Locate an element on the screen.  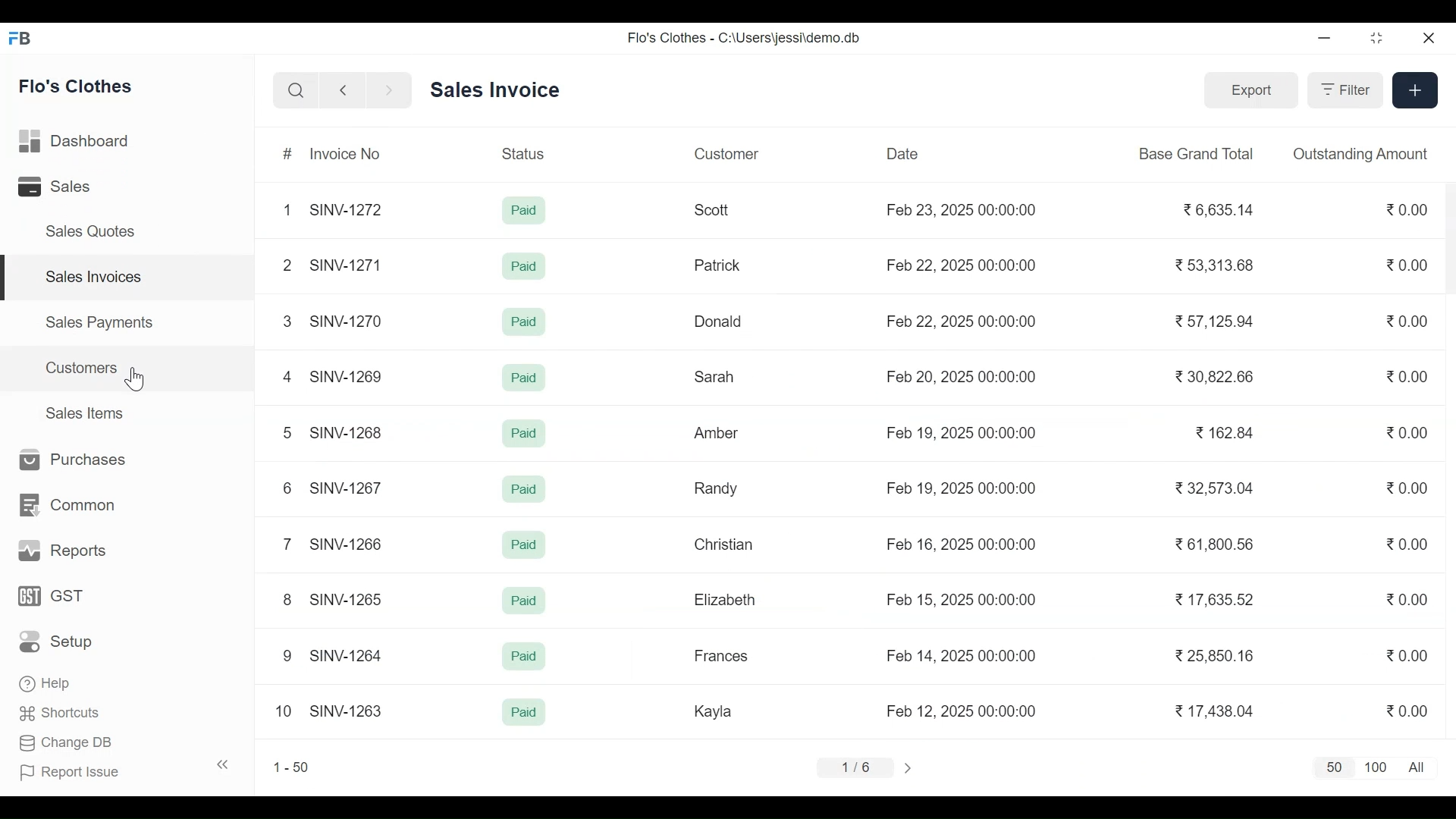
0.00 is located at coordinates (1404, 488).